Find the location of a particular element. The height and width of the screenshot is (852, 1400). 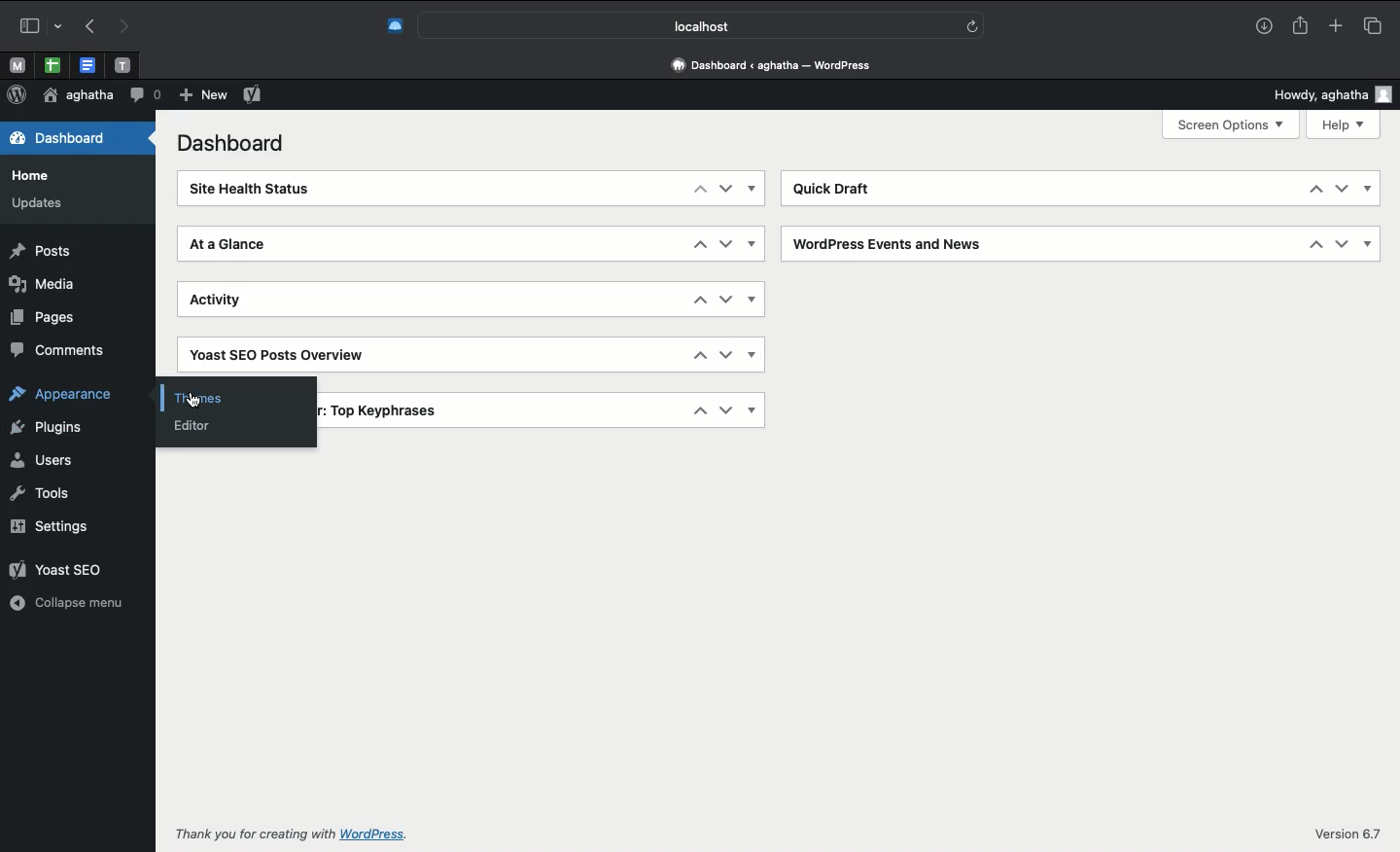

Show is located at coordinates (1369, 190).